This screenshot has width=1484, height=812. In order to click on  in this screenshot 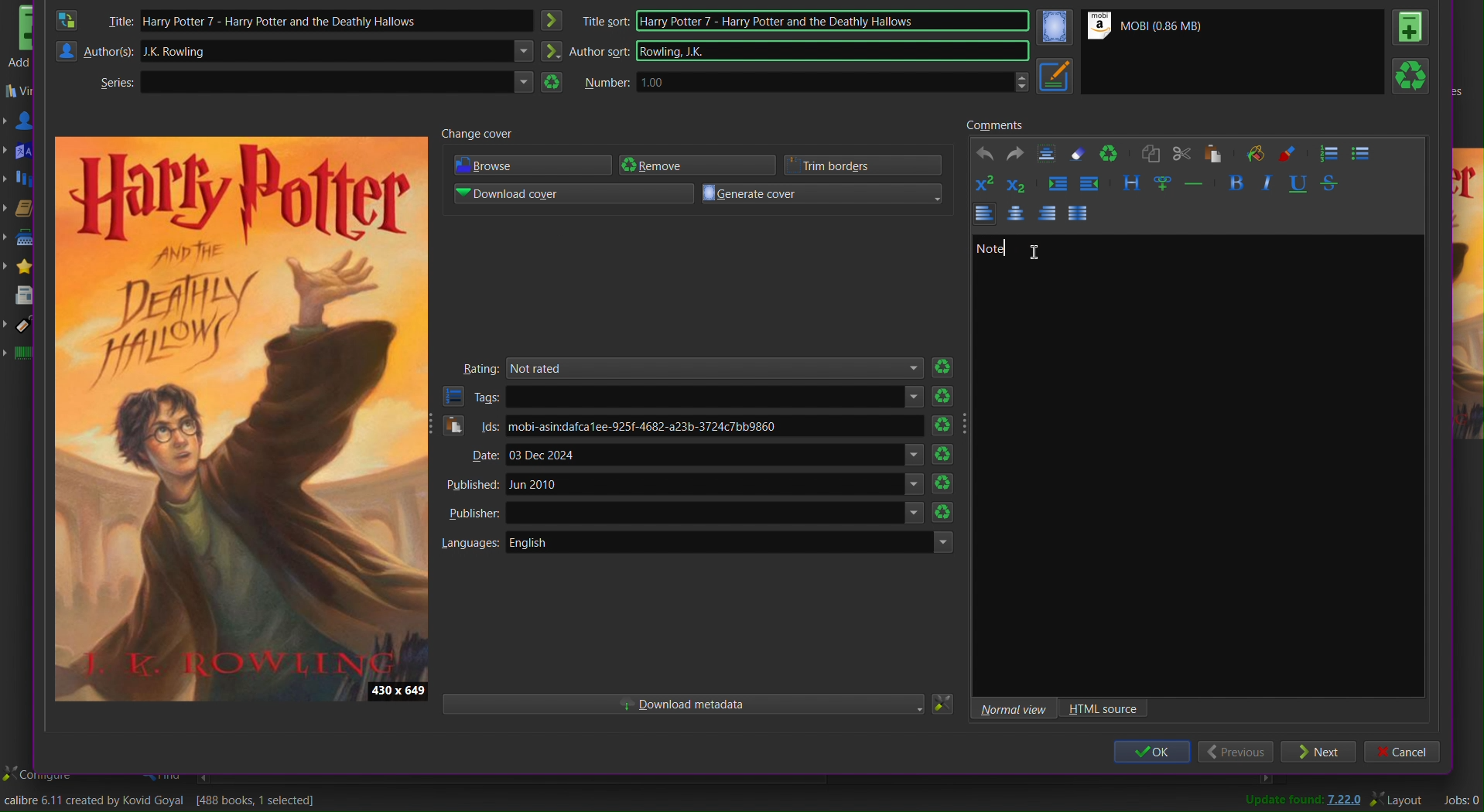, I will do `click(718, 513)`.